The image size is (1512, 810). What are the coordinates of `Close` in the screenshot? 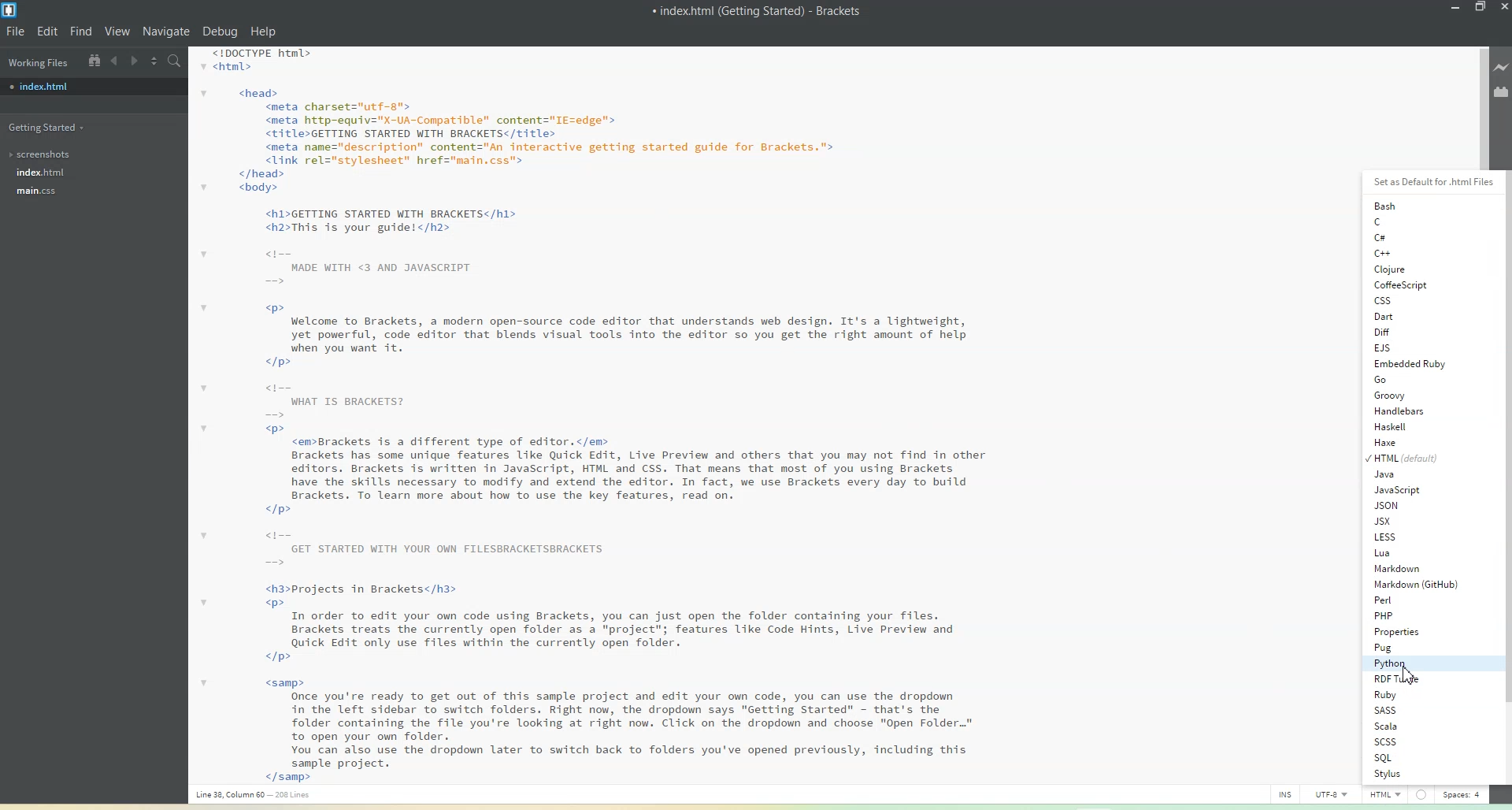 It's located at (1503, 8).